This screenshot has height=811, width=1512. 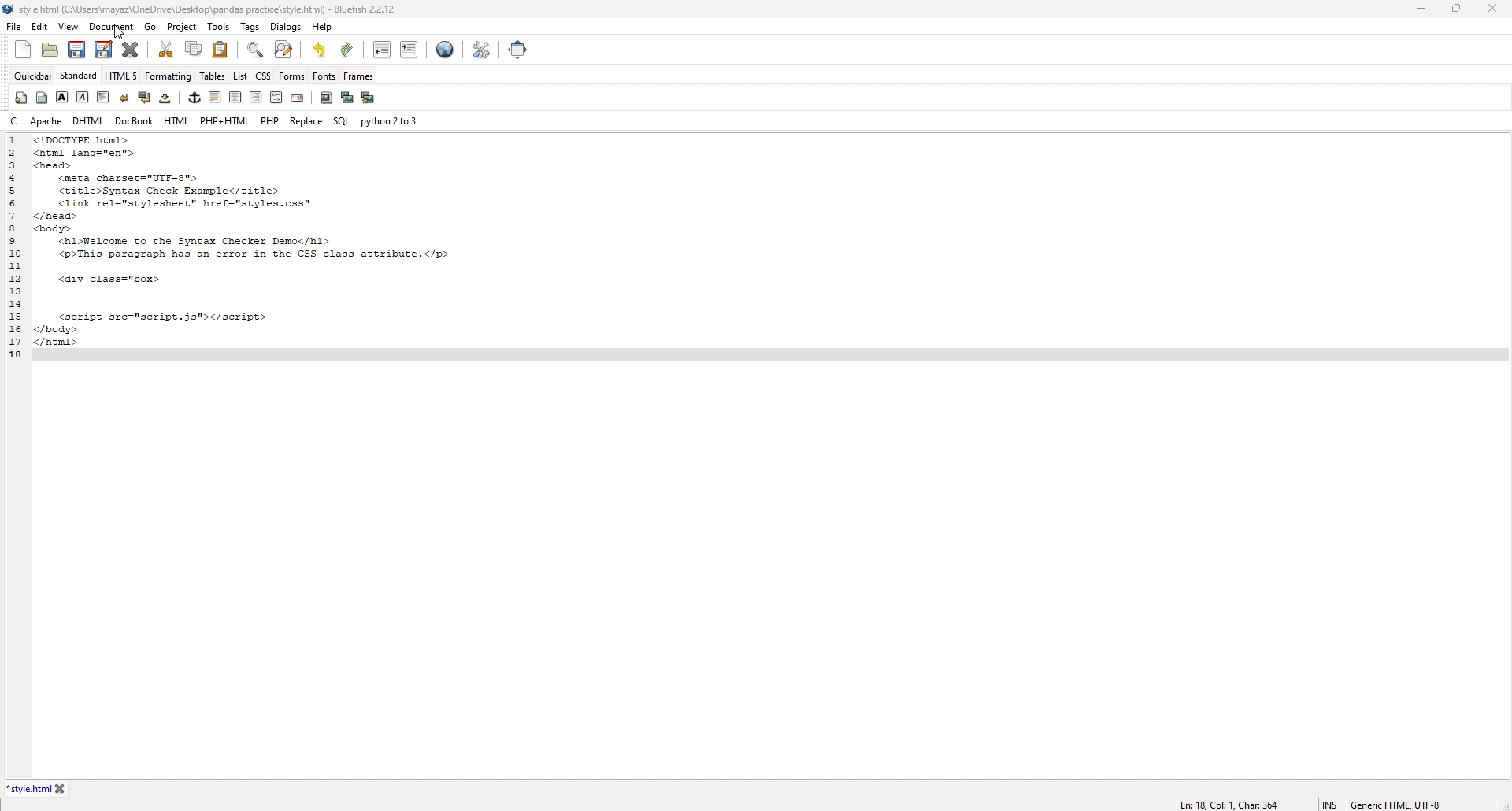 I want to click on document, so click(x=111, y=27).